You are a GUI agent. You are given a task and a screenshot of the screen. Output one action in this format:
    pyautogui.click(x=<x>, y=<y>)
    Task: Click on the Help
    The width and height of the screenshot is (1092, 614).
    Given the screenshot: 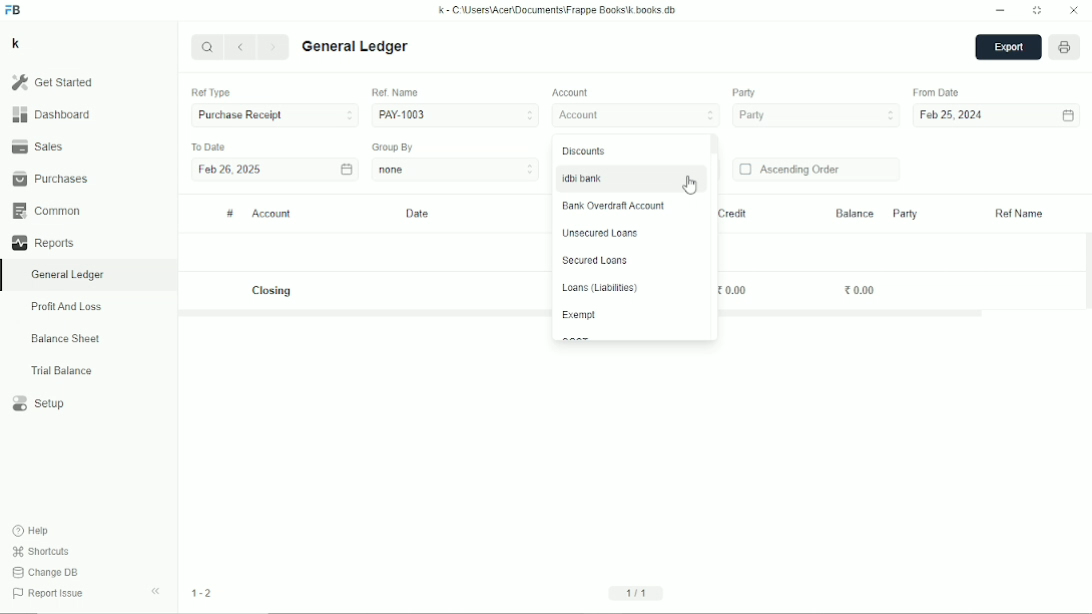 What is the action you would take?
    pyautogui.click(x=33, y=531)
    